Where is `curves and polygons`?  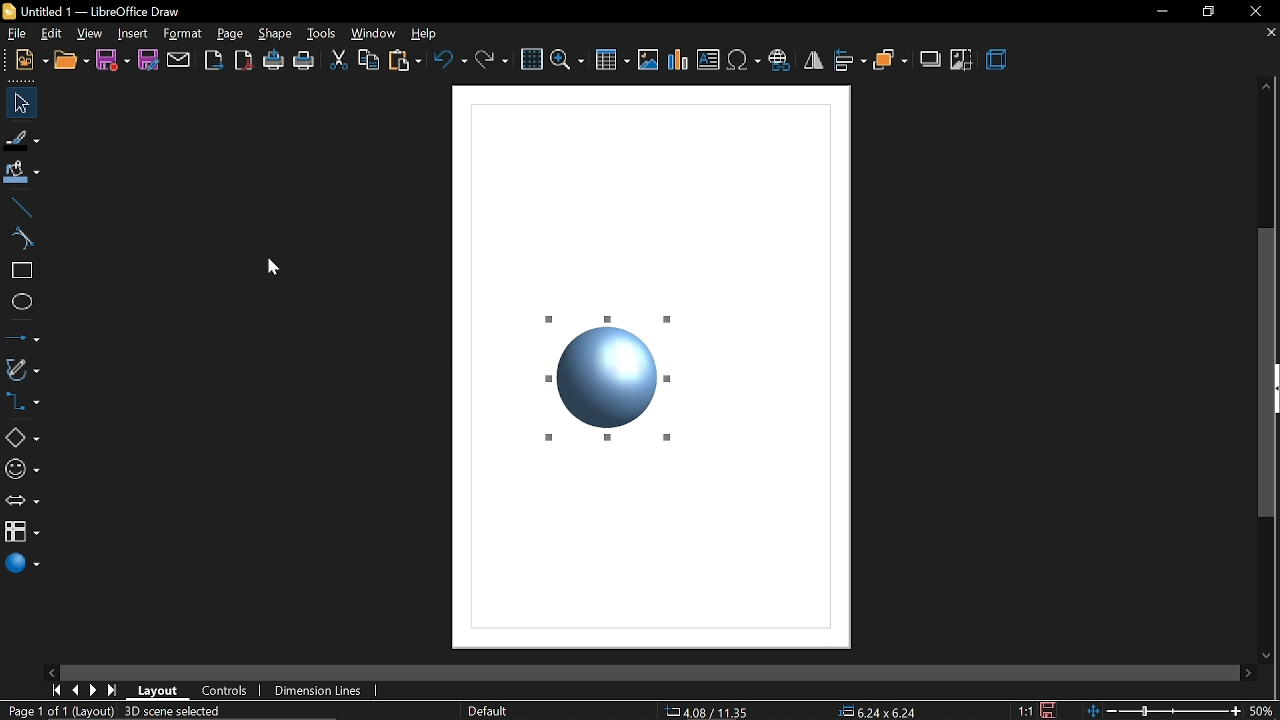 curves and polygons is located at coordinates (22, 367).